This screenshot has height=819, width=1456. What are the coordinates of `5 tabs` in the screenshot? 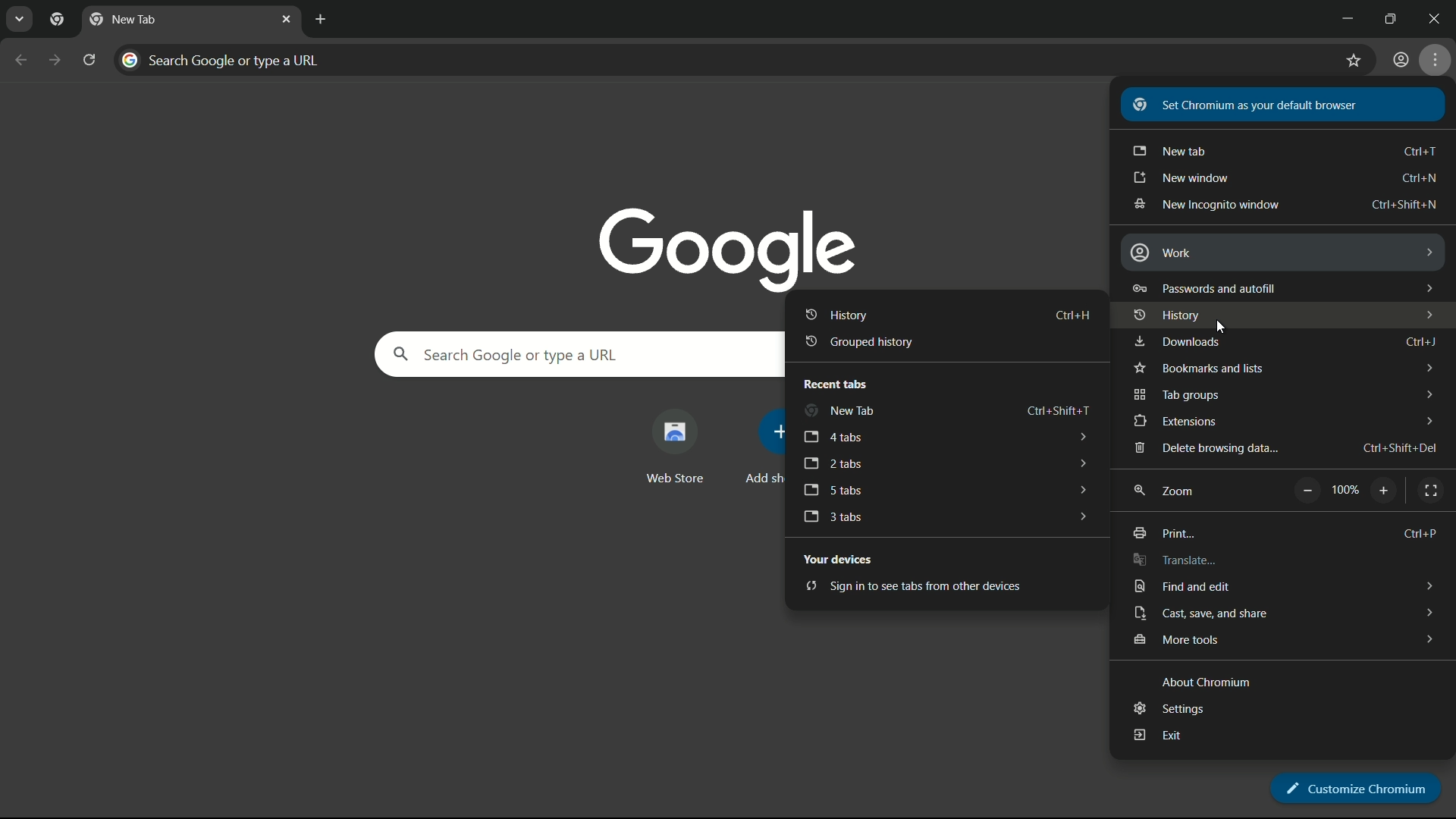 It's located at (833, 491).